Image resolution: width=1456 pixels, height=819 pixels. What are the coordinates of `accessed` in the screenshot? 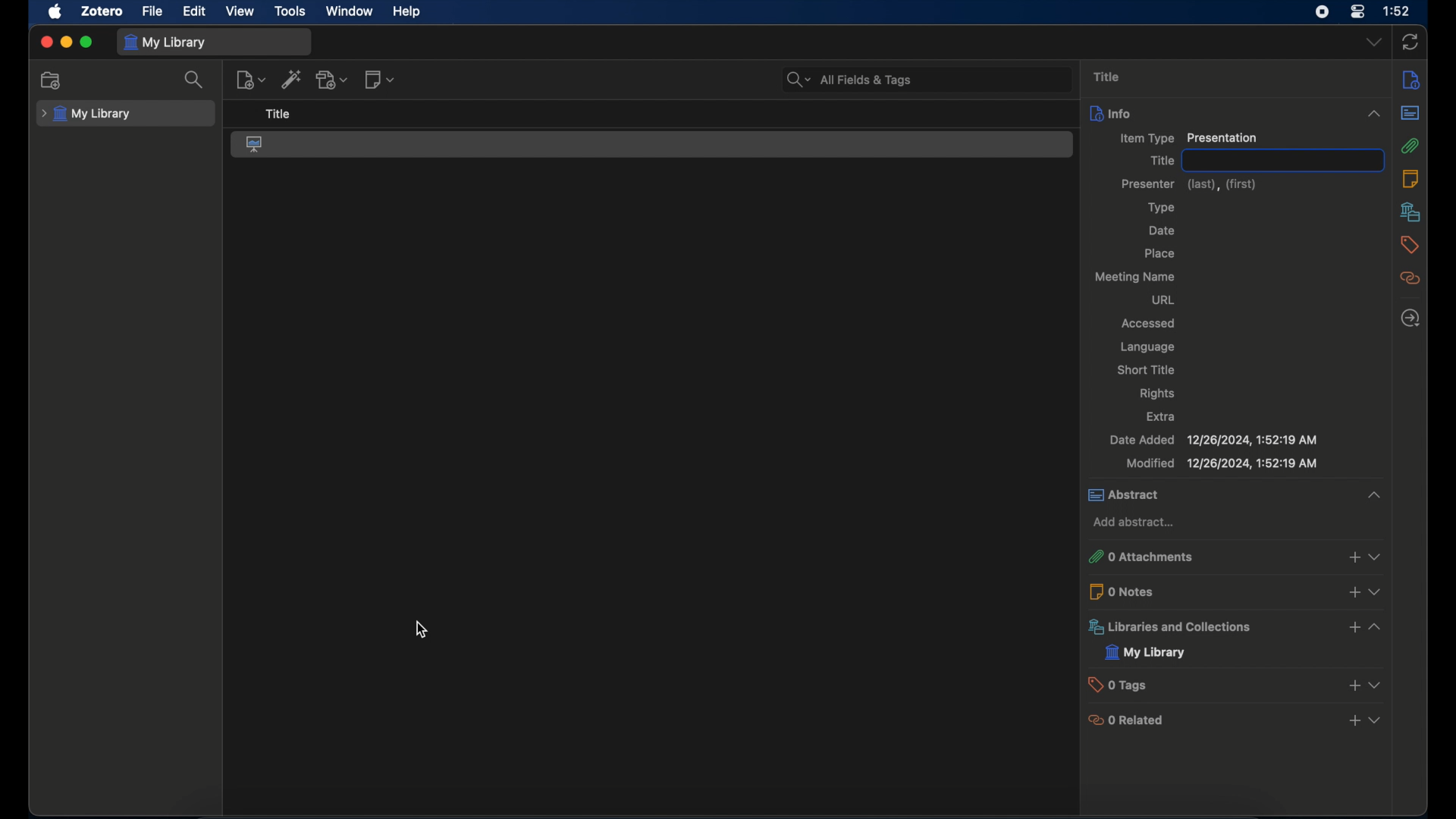 It's located at (1150, 322).